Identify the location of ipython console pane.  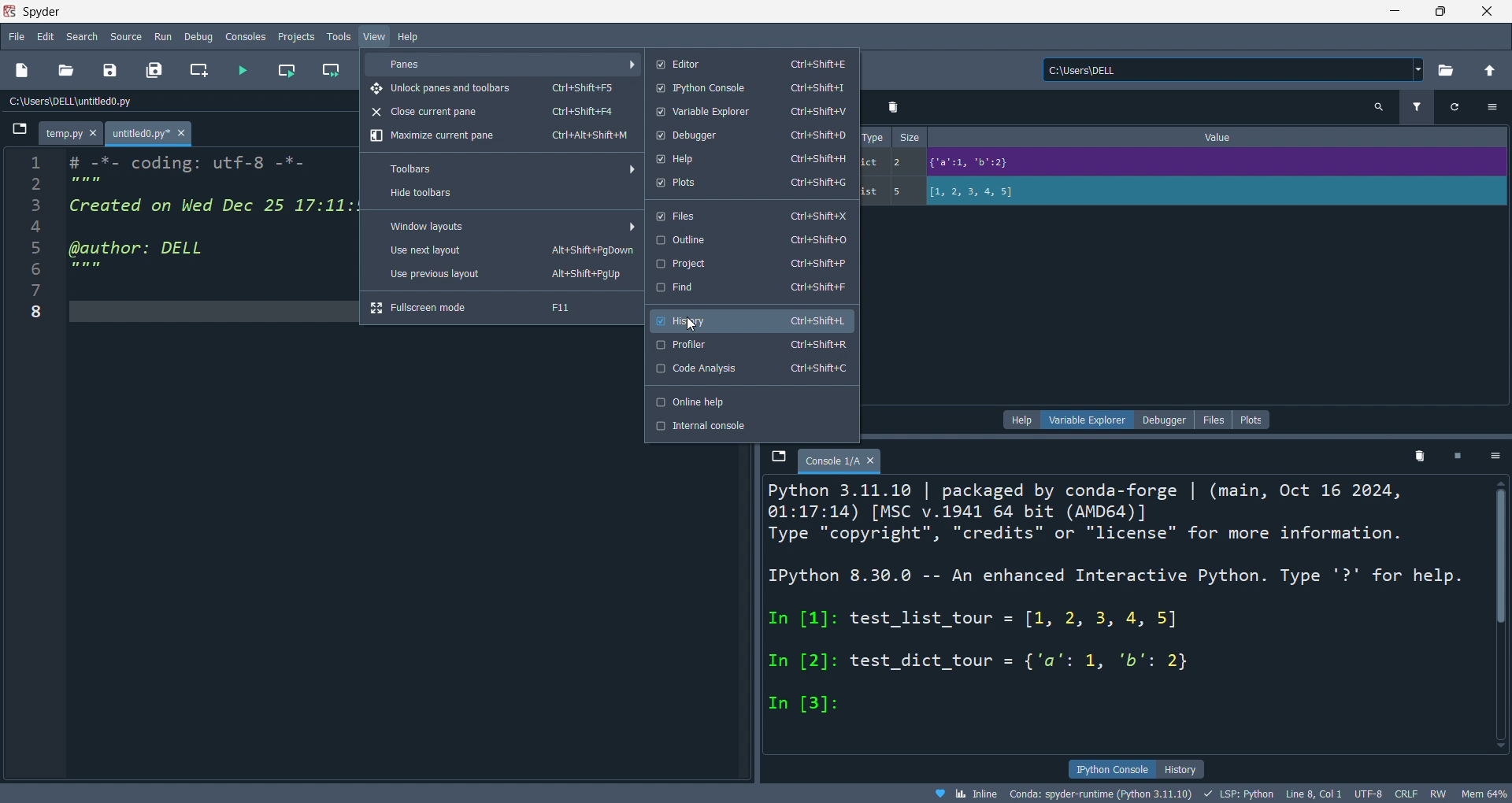
(769, 601).